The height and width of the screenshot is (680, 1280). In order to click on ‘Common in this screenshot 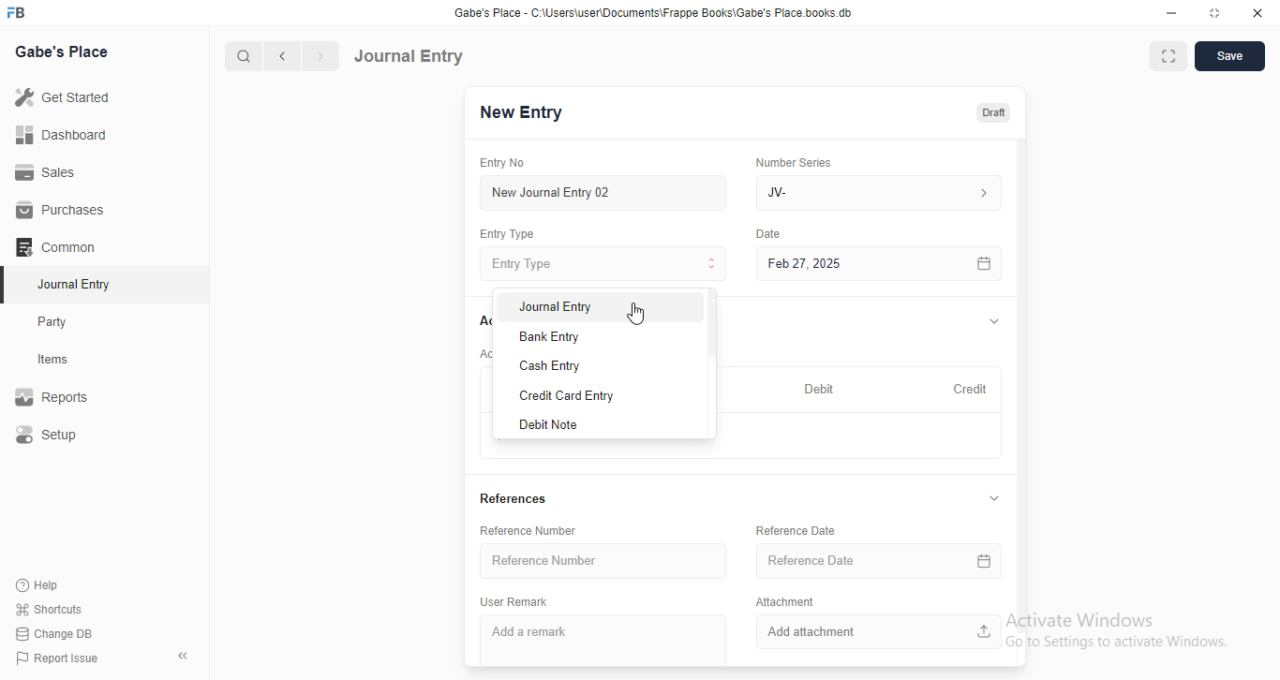, I will do `click(57, 246)`.